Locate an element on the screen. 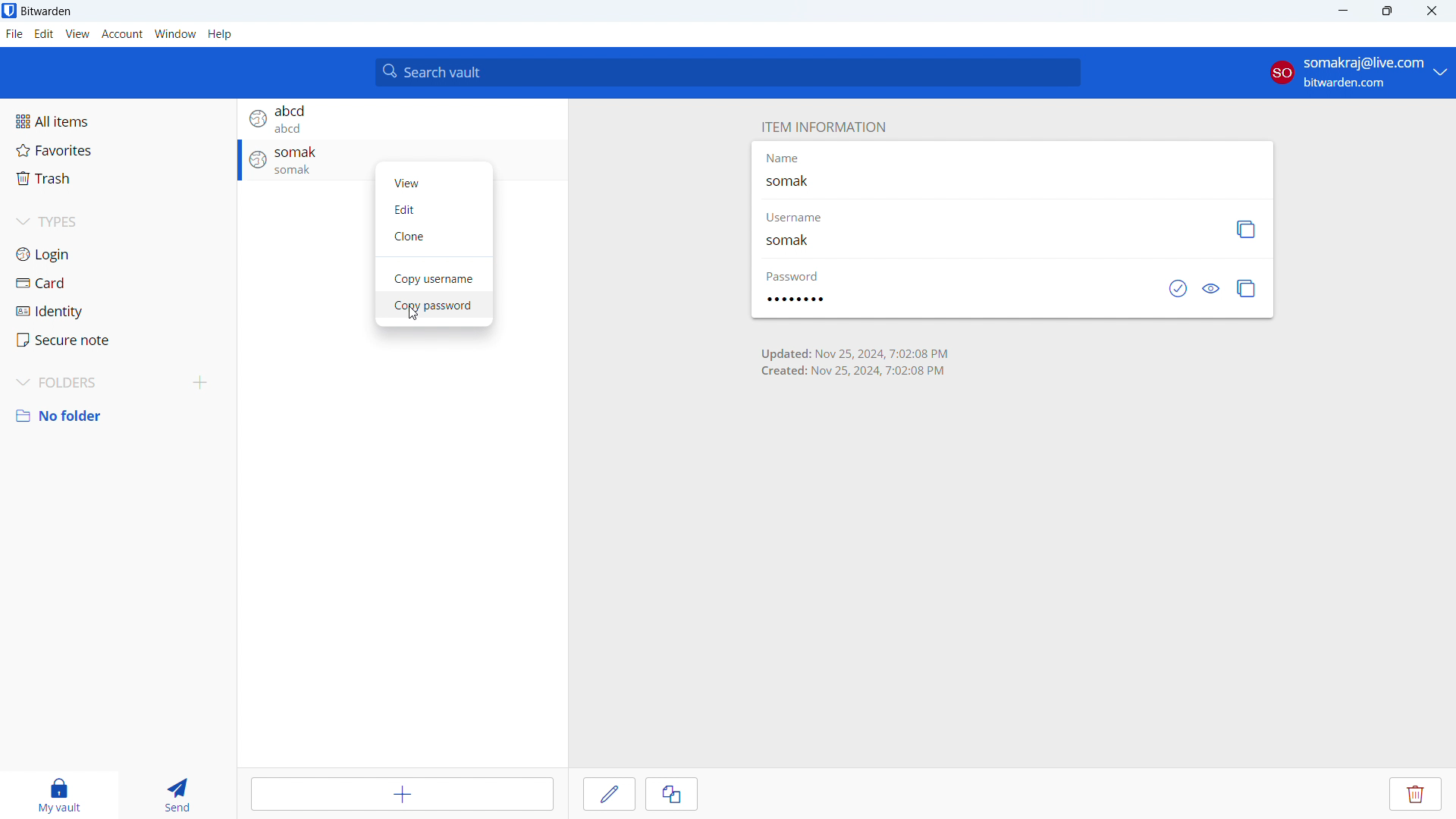 Image resolution: width=1456 pixels, height=819 pixels. account is located at coordinates (122, 34).